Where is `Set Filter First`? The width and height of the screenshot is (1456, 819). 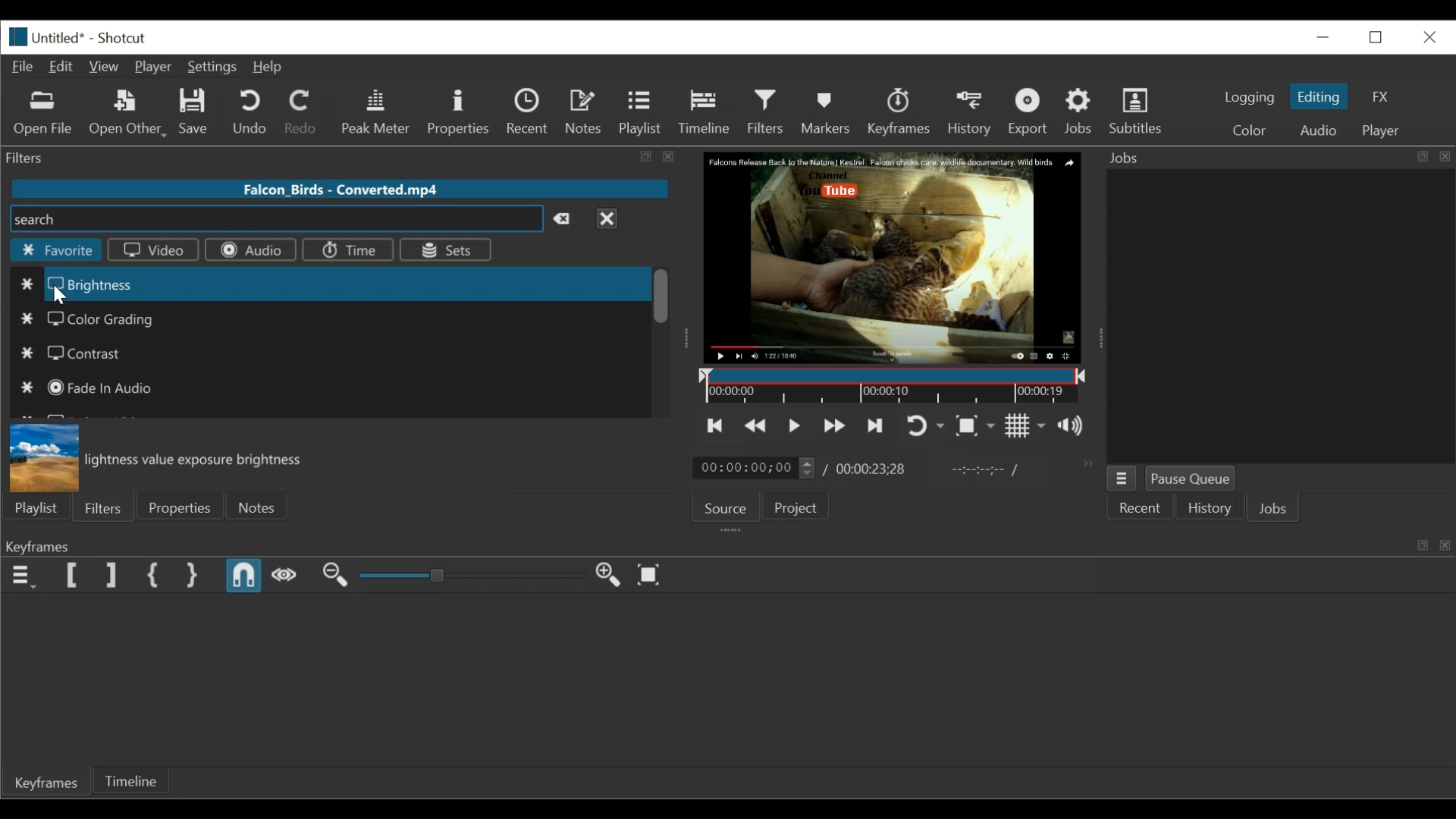
Set Filter First is located at coordinates (74, 576).